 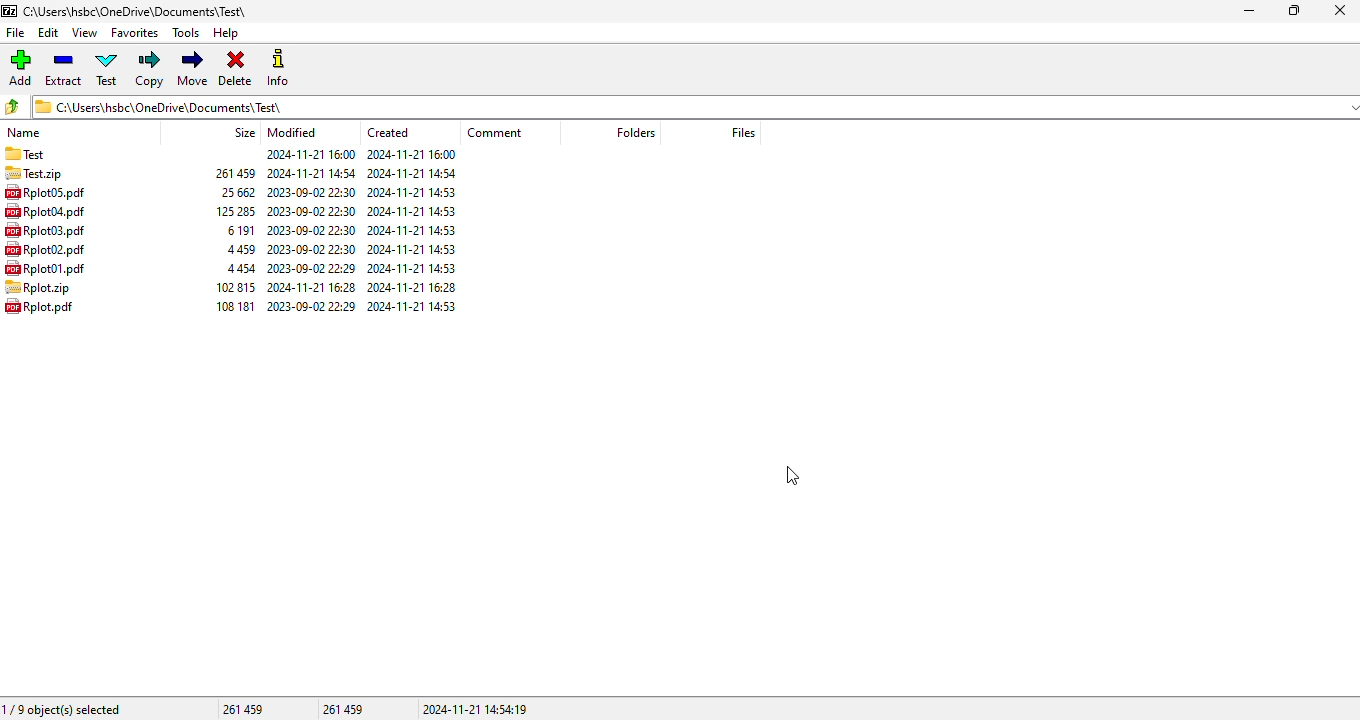 What do you see at coordinates (343, 709) in the screenshot?
I see `261 459` at bounding box center [343, 709].